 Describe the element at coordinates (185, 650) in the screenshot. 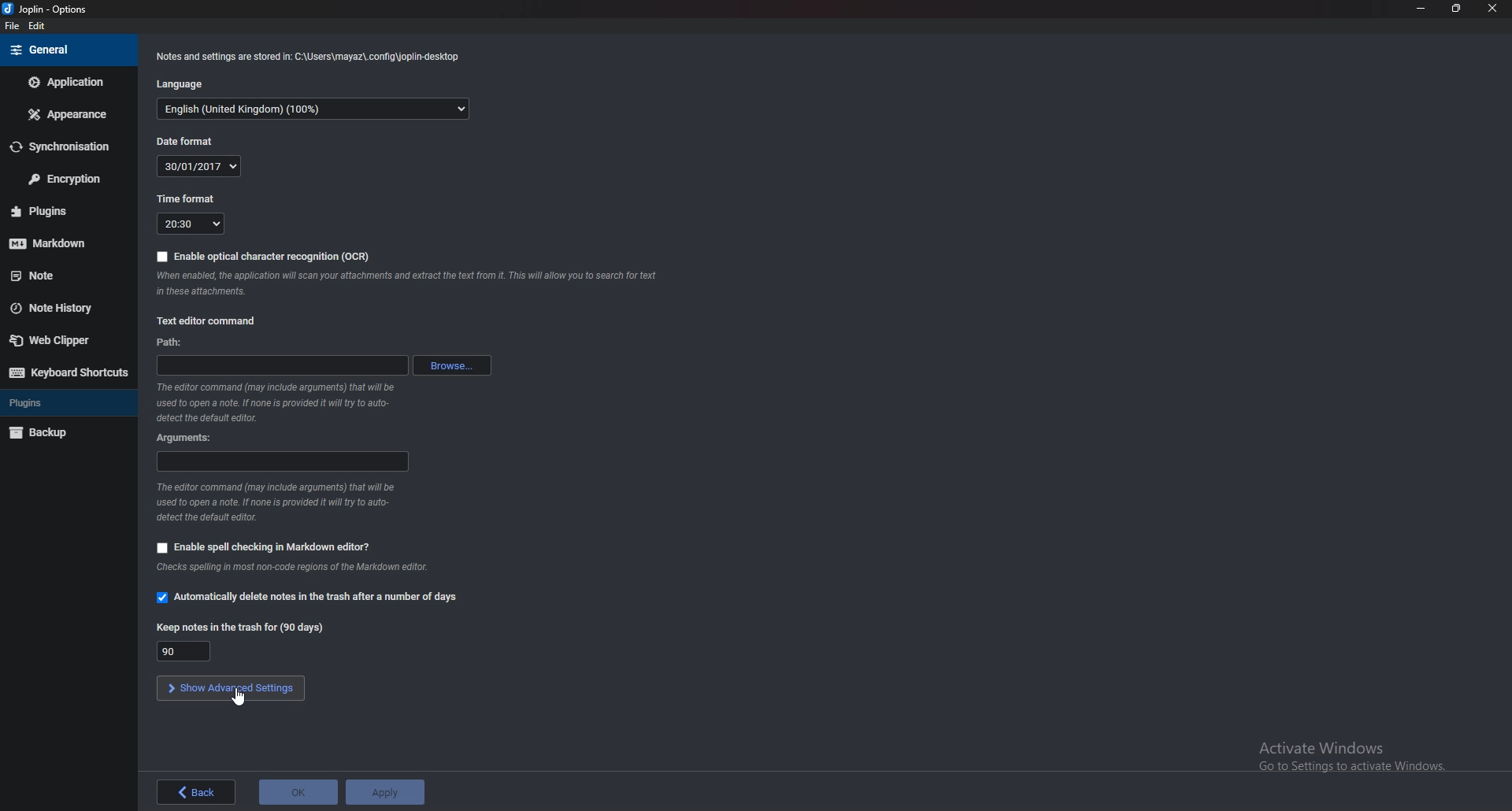

I see `90 days` at that location.